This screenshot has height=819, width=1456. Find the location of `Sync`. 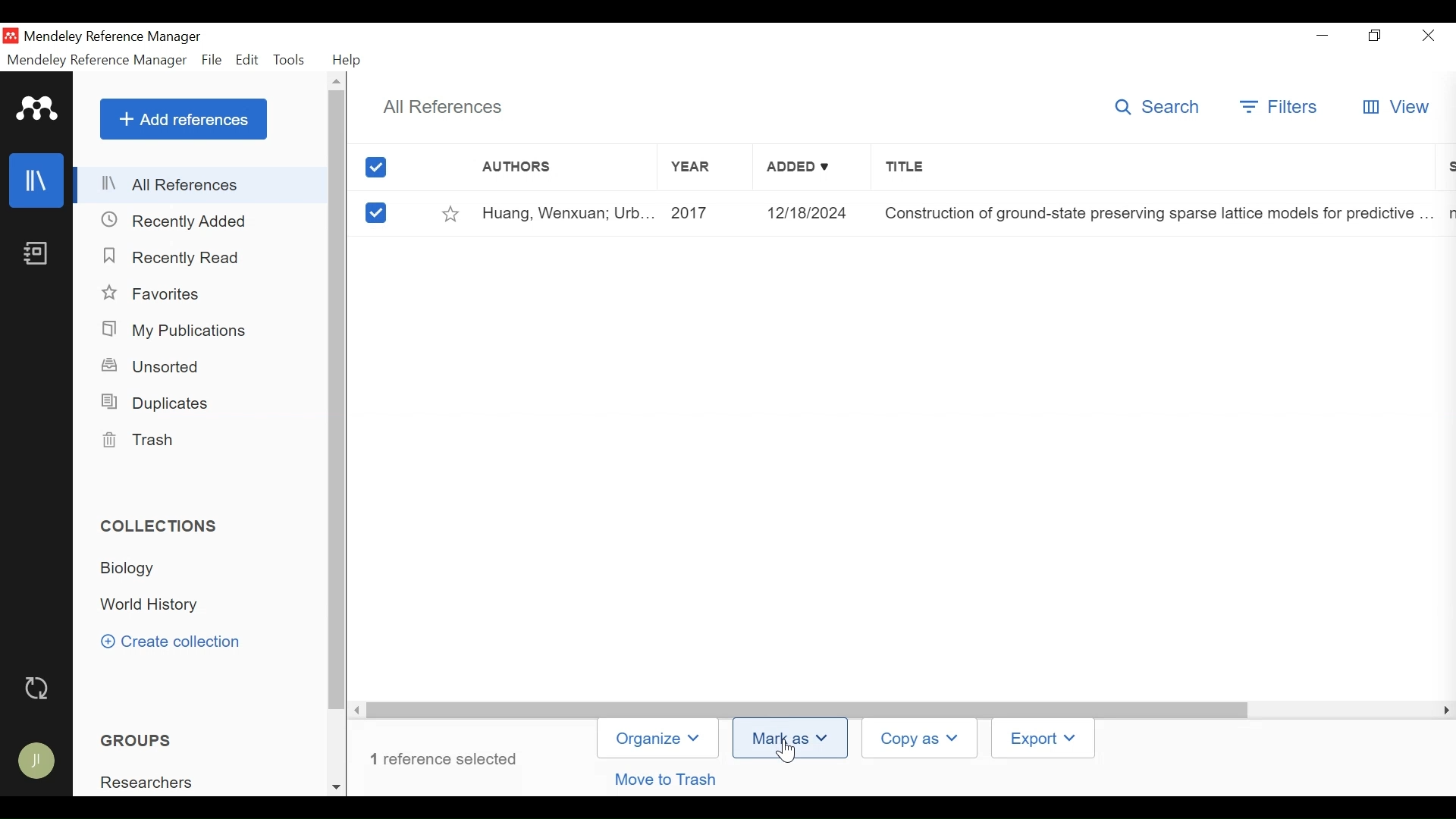

Sync is located at coordinates (39, 690).